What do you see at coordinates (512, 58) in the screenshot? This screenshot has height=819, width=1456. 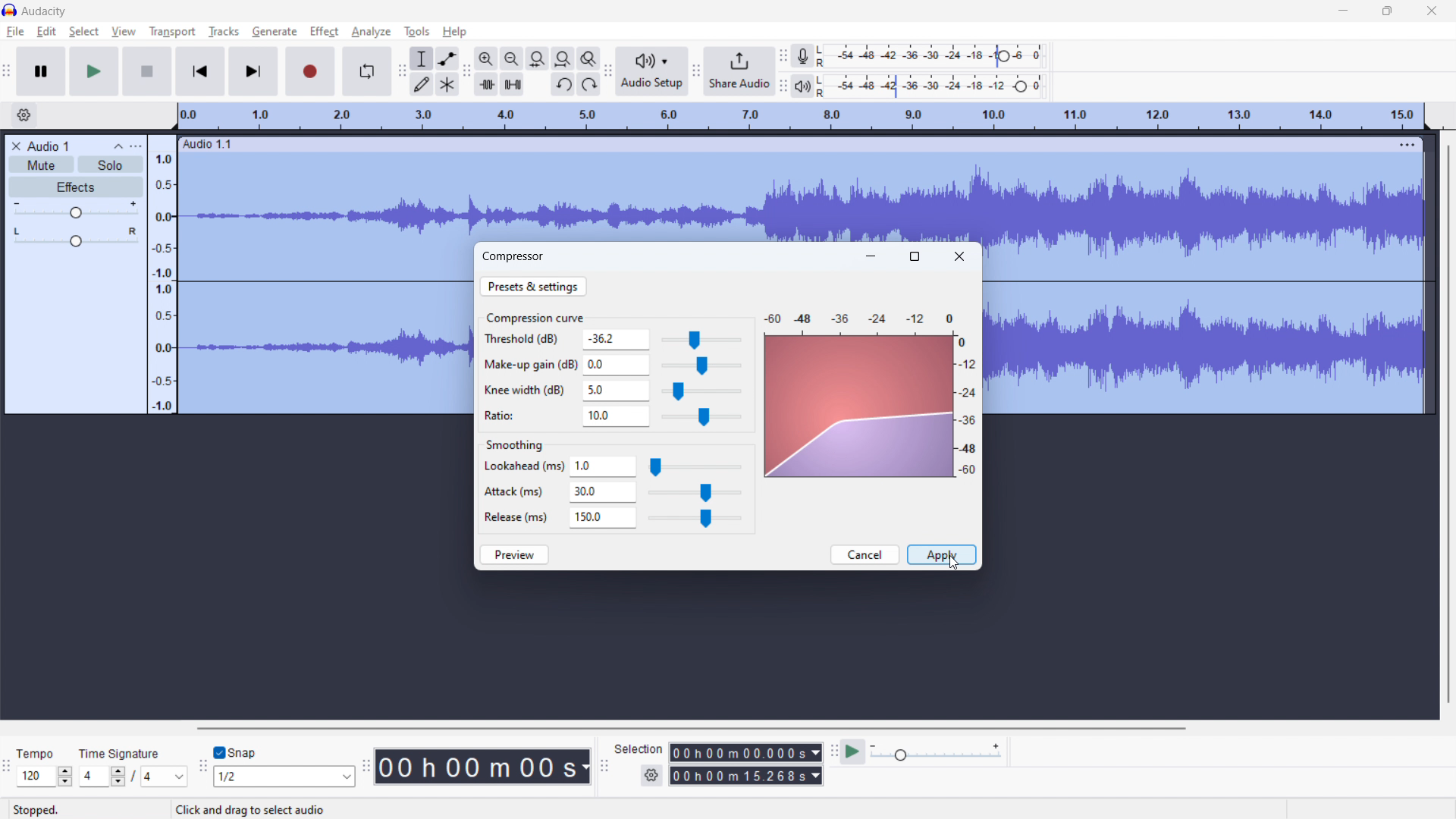 I see `zoom out` at bounding box center [512, 58].